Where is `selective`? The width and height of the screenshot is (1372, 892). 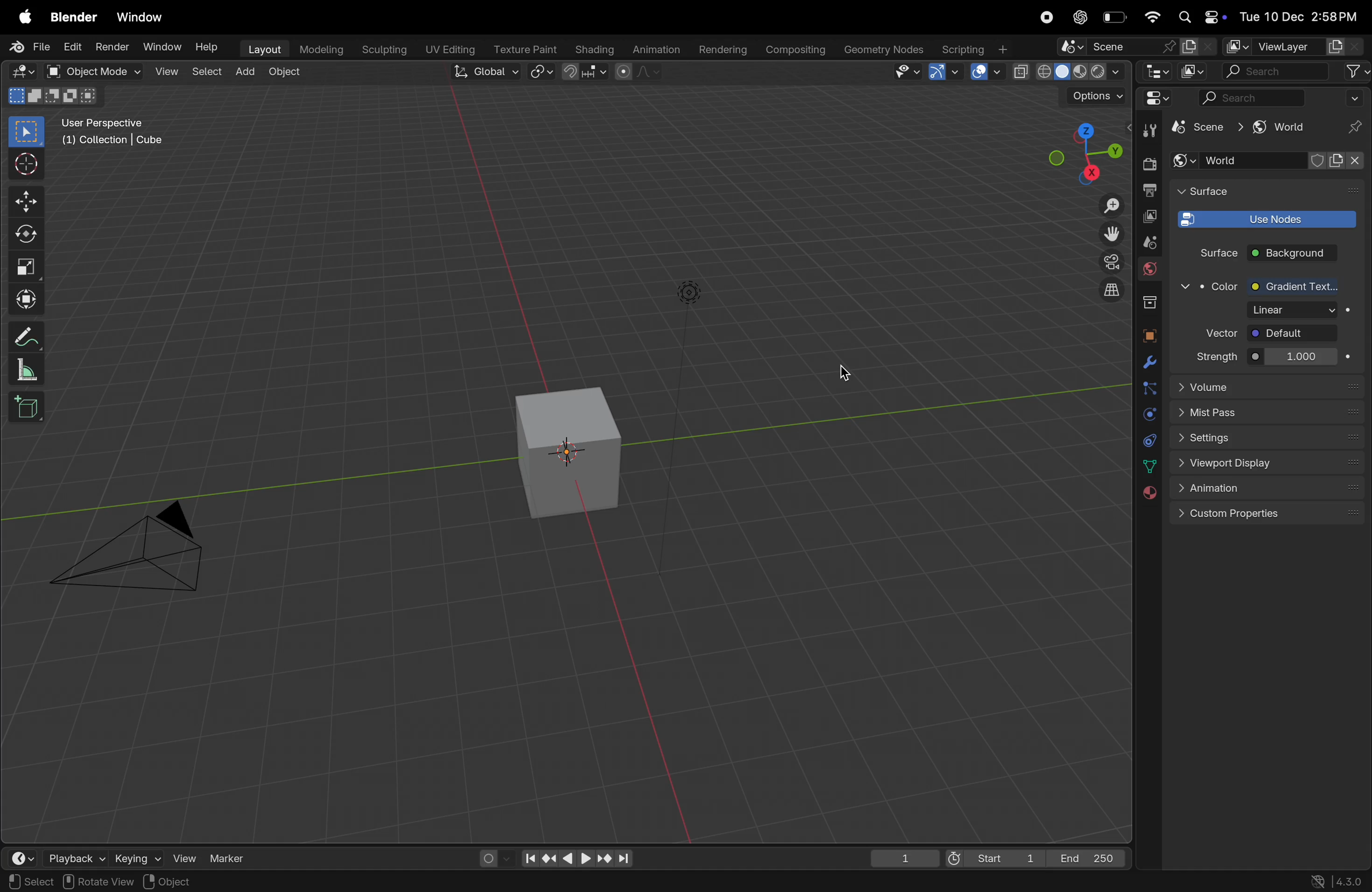
selective is located at coordinates (27, 131).